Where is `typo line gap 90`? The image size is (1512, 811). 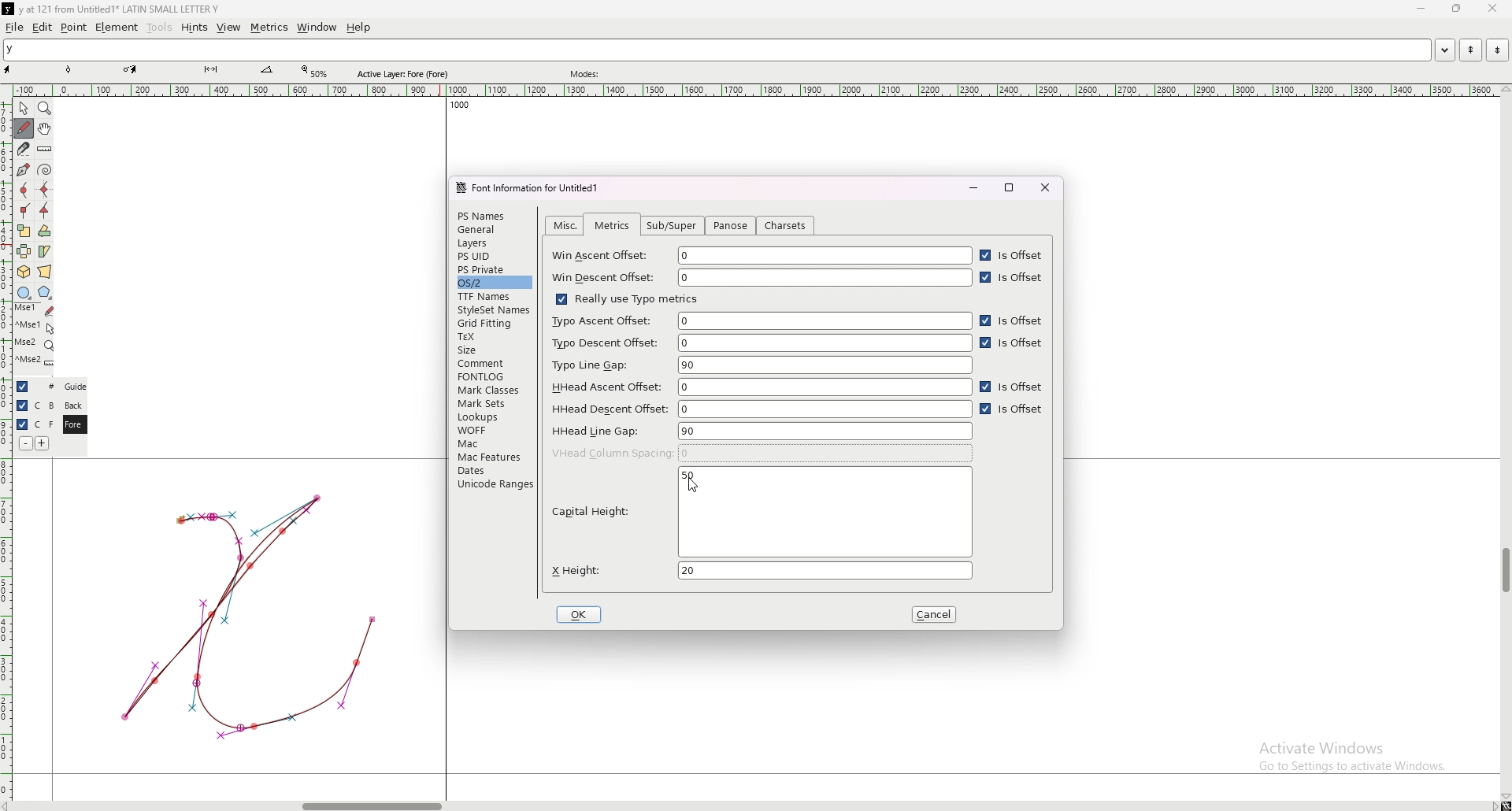 typo line gap 90 is located at coordinates (762, 365).